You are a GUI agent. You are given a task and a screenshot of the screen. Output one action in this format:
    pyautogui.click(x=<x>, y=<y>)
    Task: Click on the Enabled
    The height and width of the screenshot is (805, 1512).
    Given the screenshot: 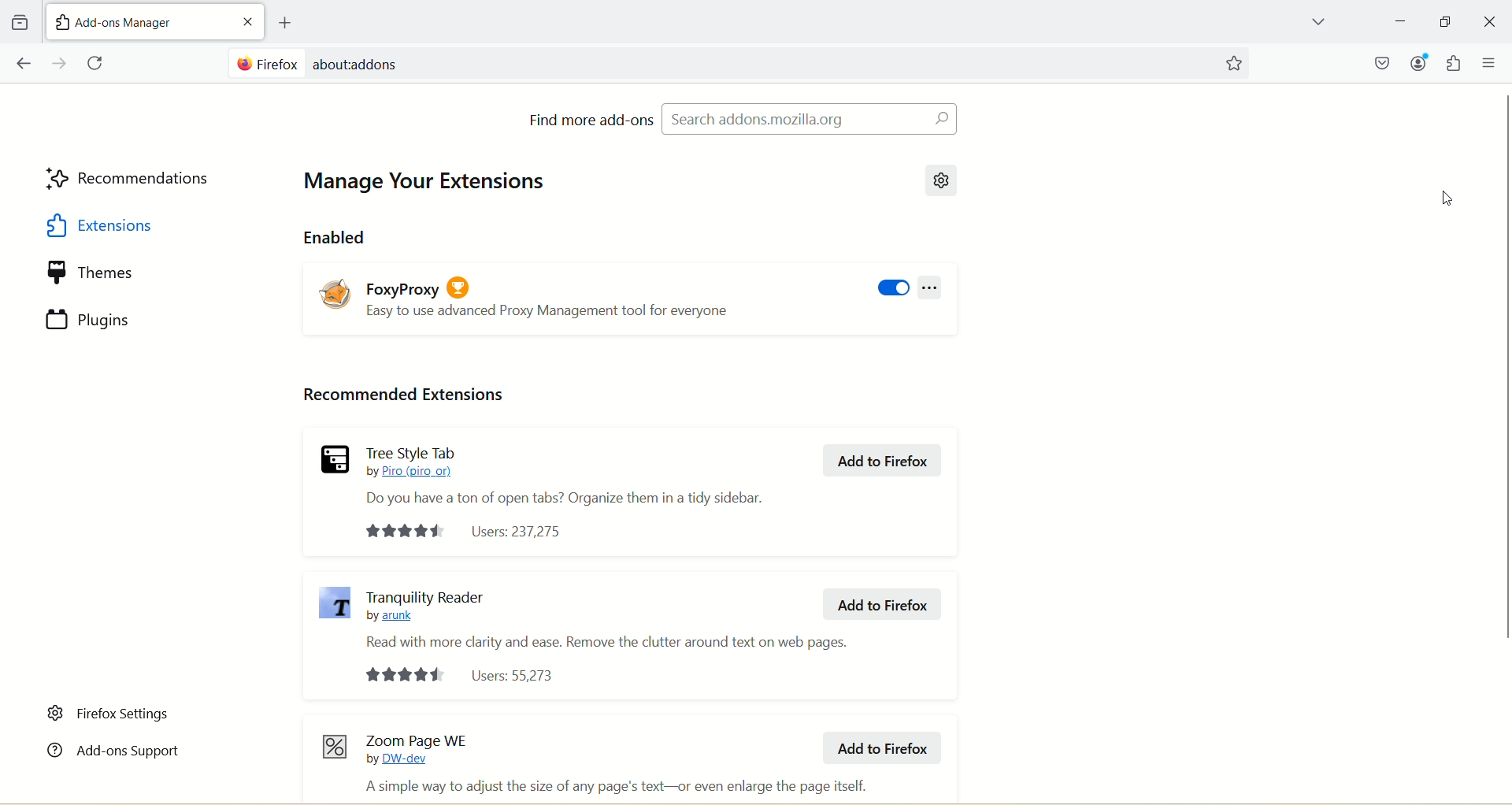 What is the action you would take?
    pyautogui.click(x=335, y=236)
    